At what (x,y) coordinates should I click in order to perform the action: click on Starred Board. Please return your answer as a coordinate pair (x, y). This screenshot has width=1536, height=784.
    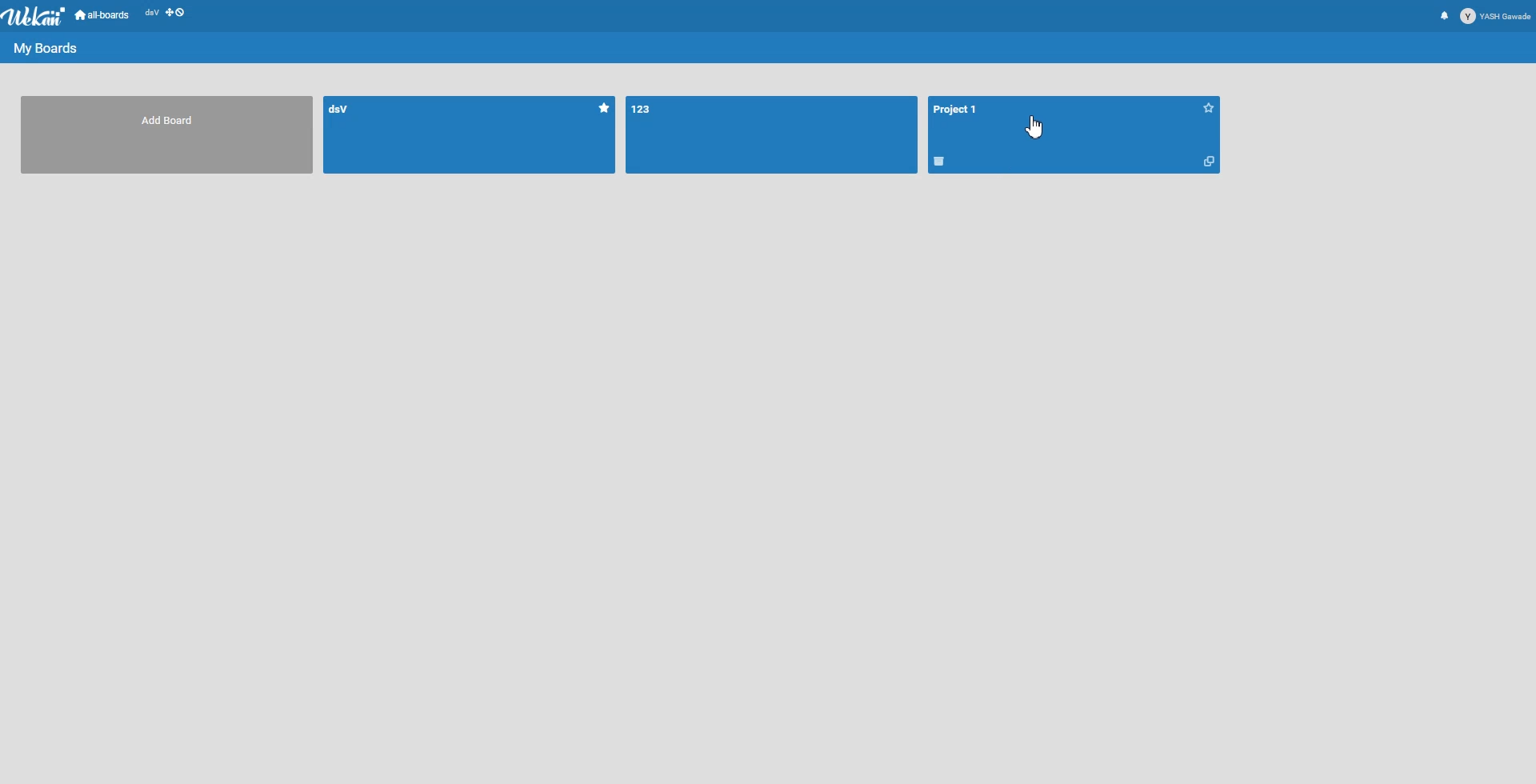
    Looking at the image, I should click on (604, 108).